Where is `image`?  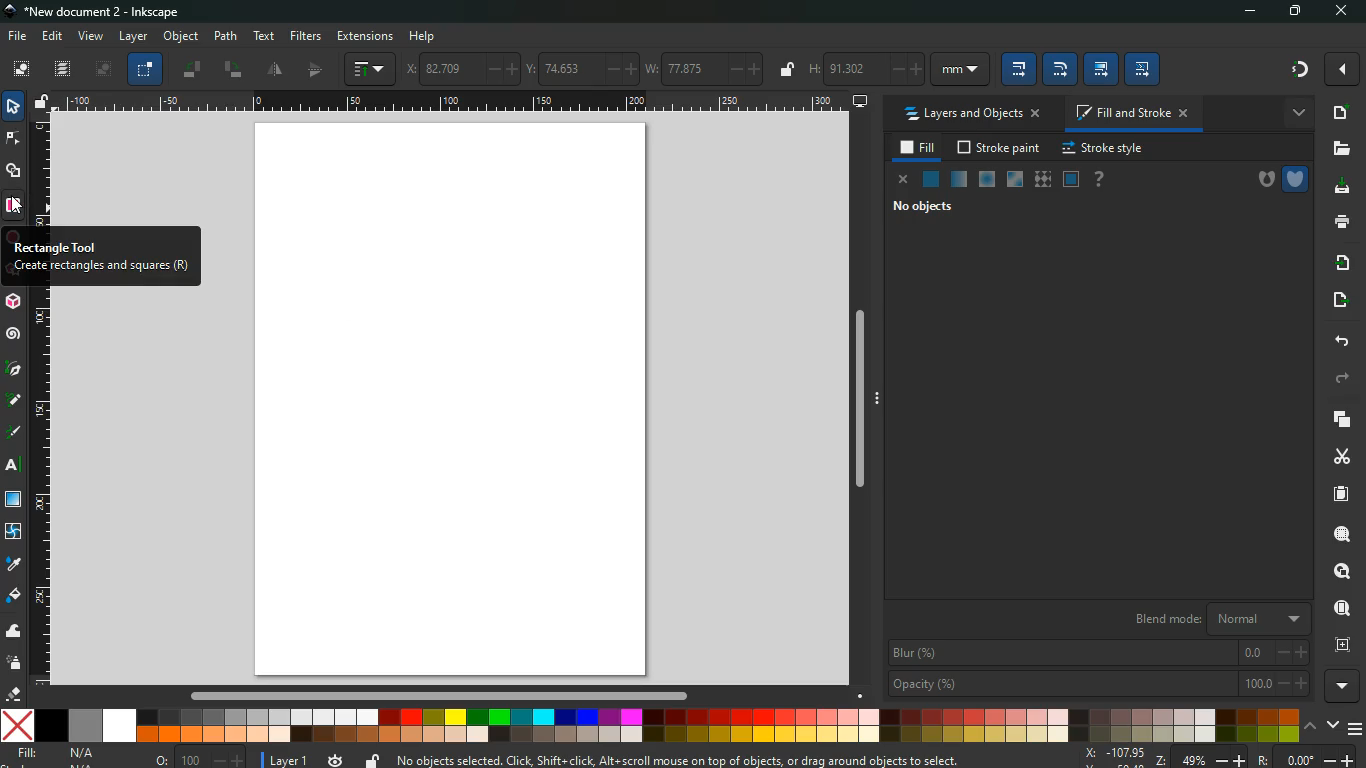
image is located at coordinates (451, 402).